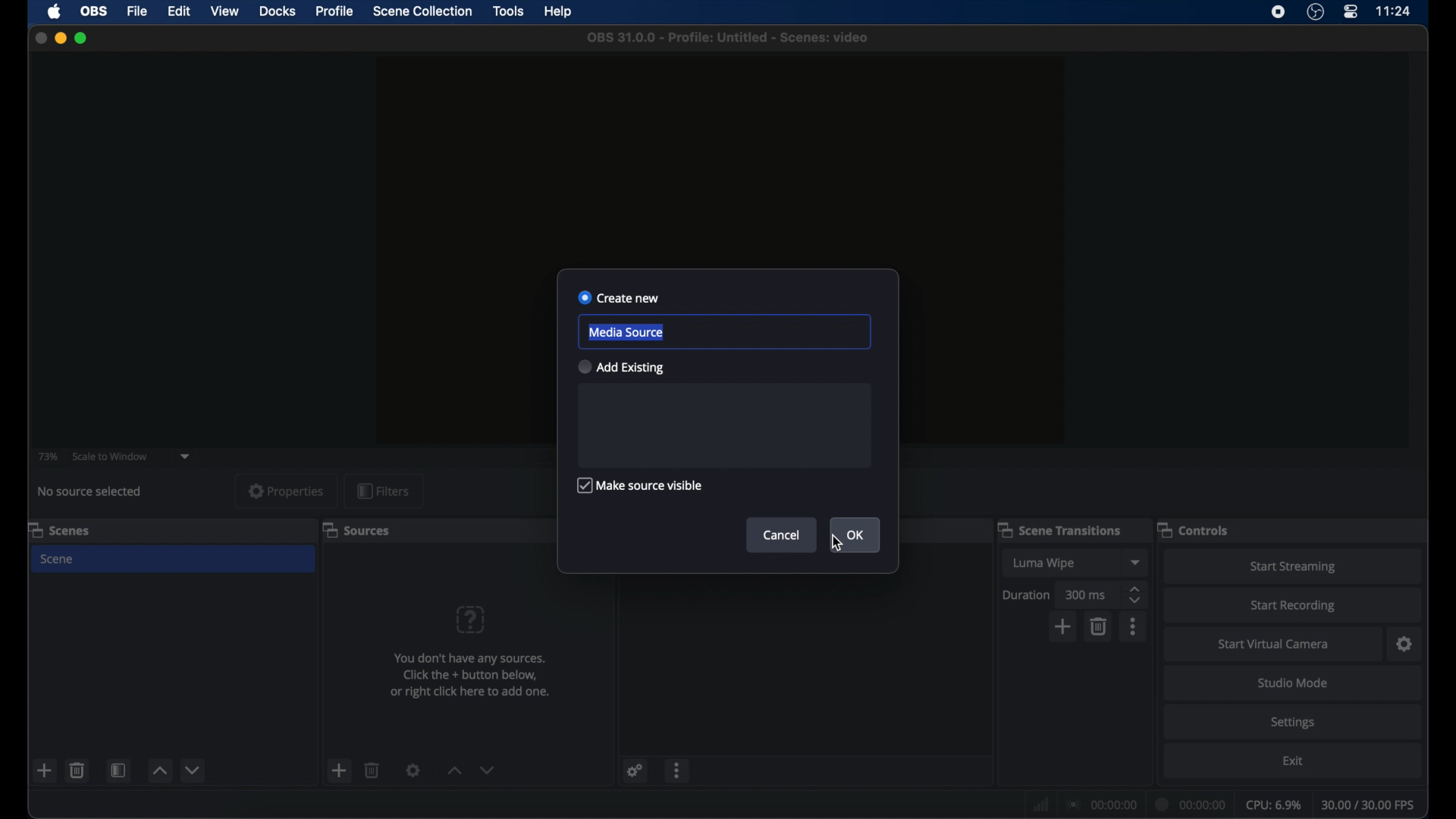  Describe the element at coordinates (278, 11) in the screenshot. I see `docks` at that location.